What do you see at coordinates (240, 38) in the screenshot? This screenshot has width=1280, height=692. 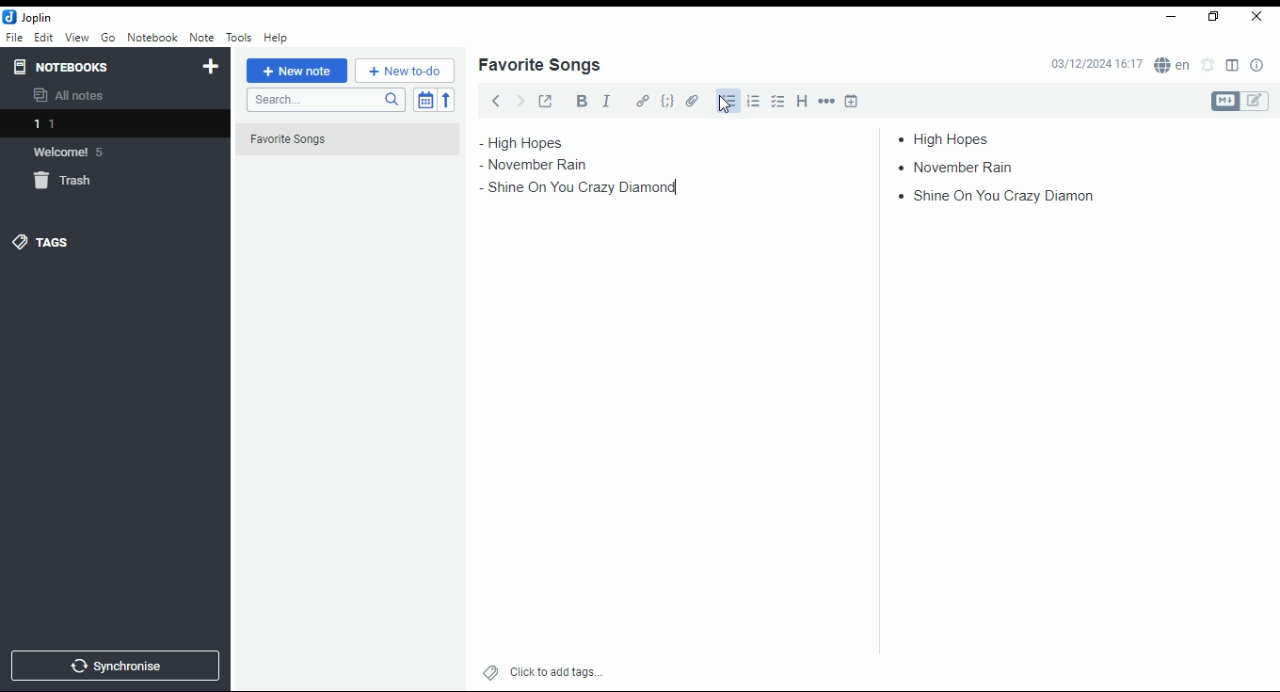 I see `tools` at bounding box center [240, 38].